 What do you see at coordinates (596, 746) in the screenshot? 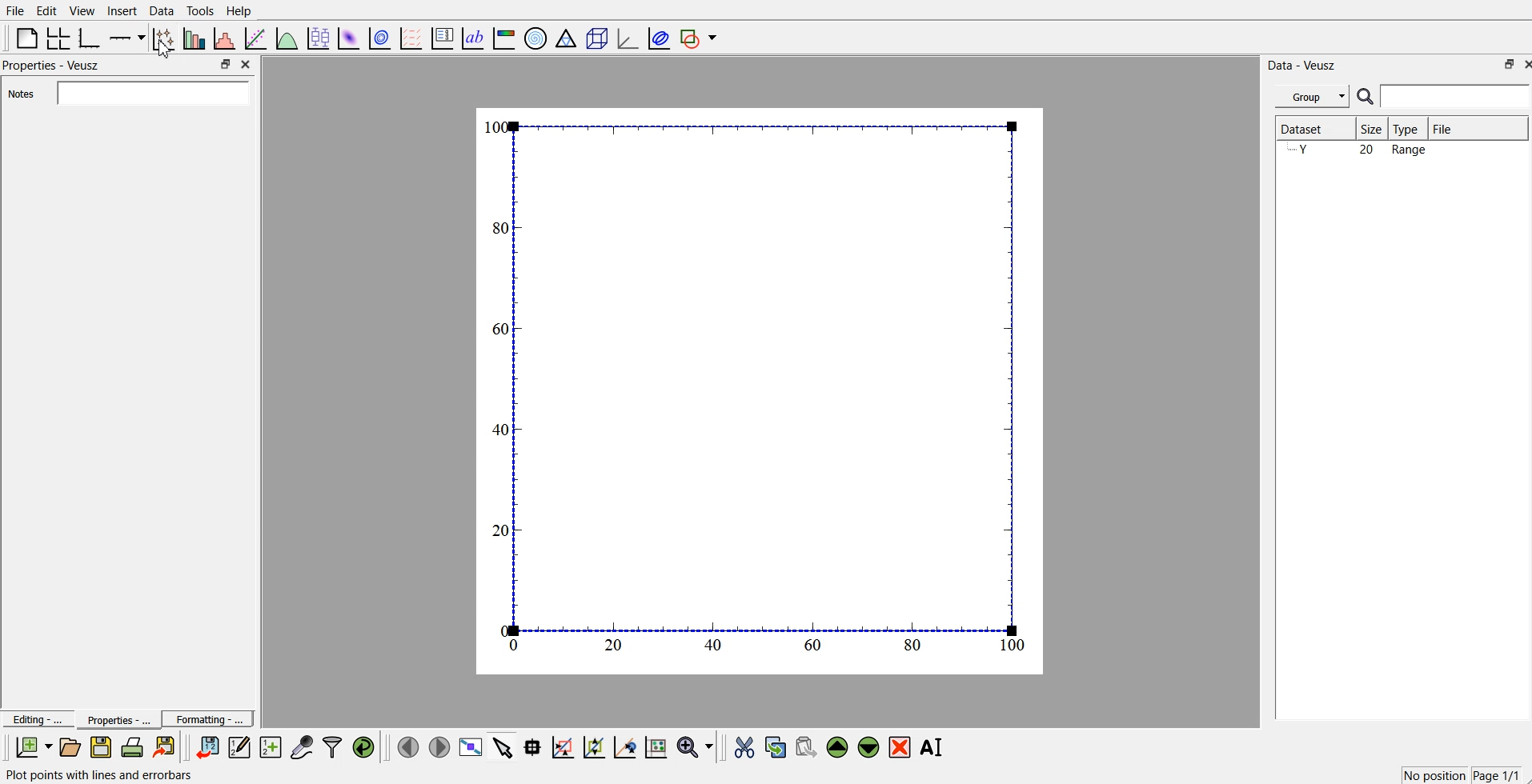
I see `click to zoom` at bounding box center [596, 746].